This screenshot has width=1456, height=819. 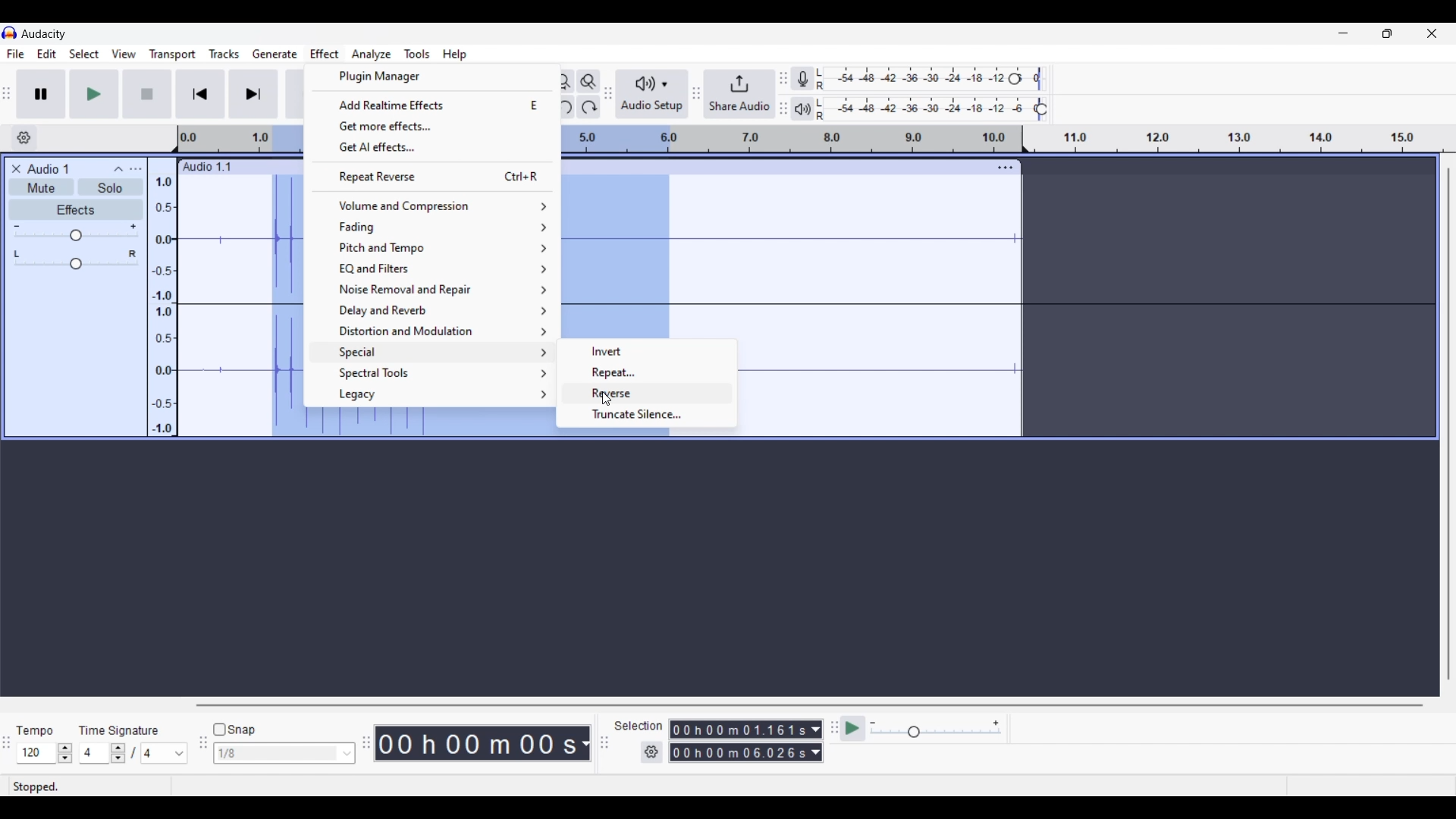 I want to click on Tracks menu, so click(x=224, y=54).